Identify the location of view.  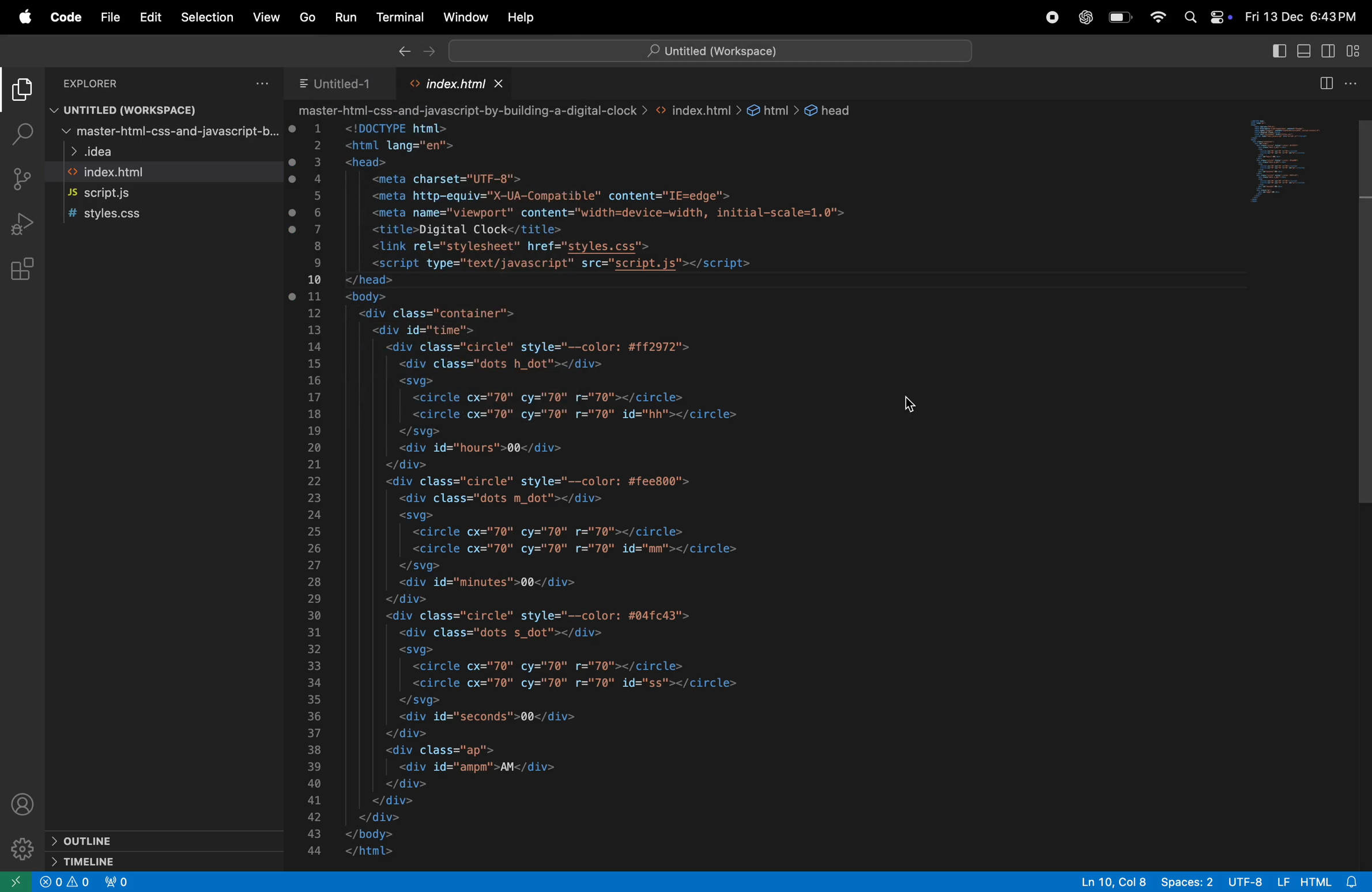
(265, 18).